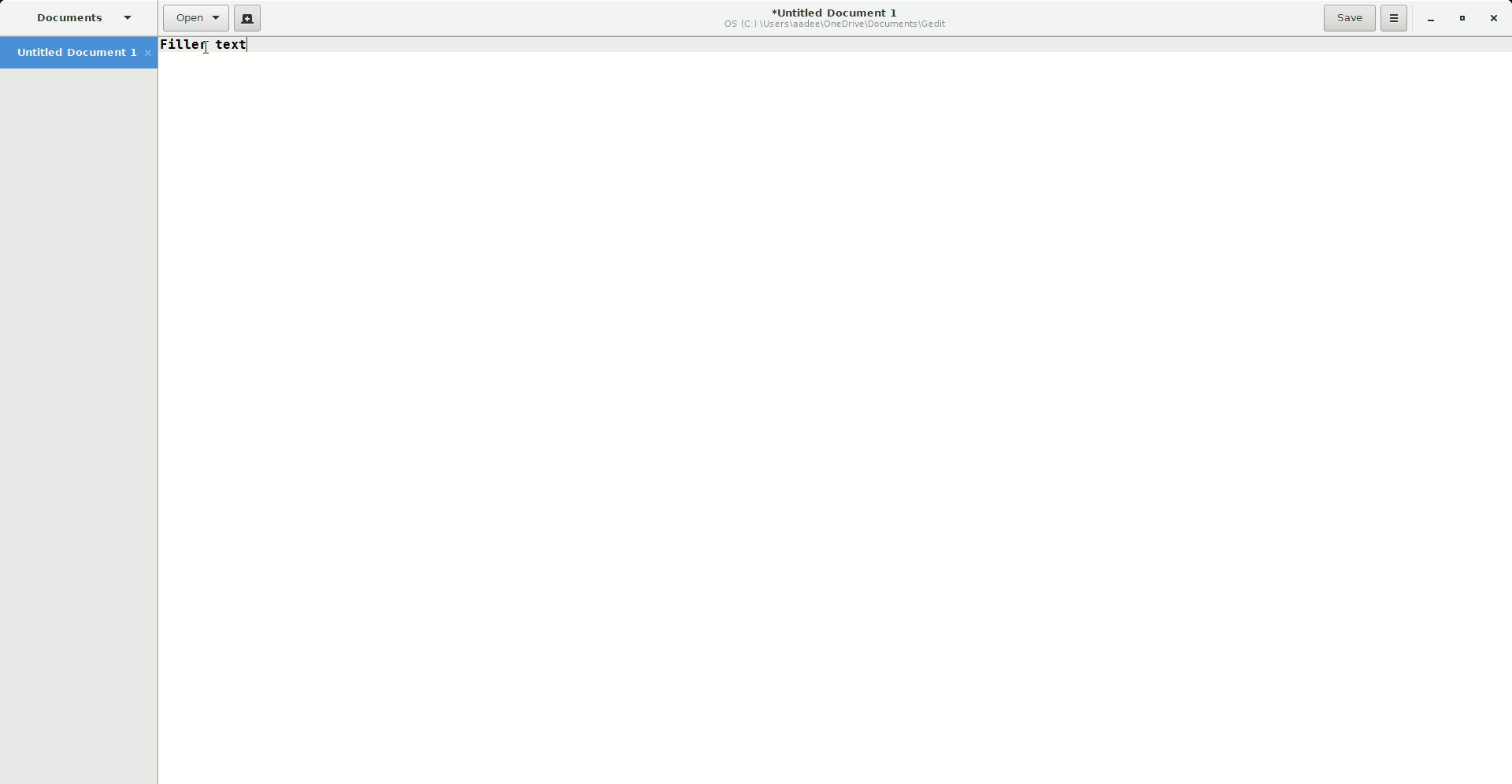 The height and width of the screenshot is (784, 1512). I want to click on Documents, so click(83, 17).